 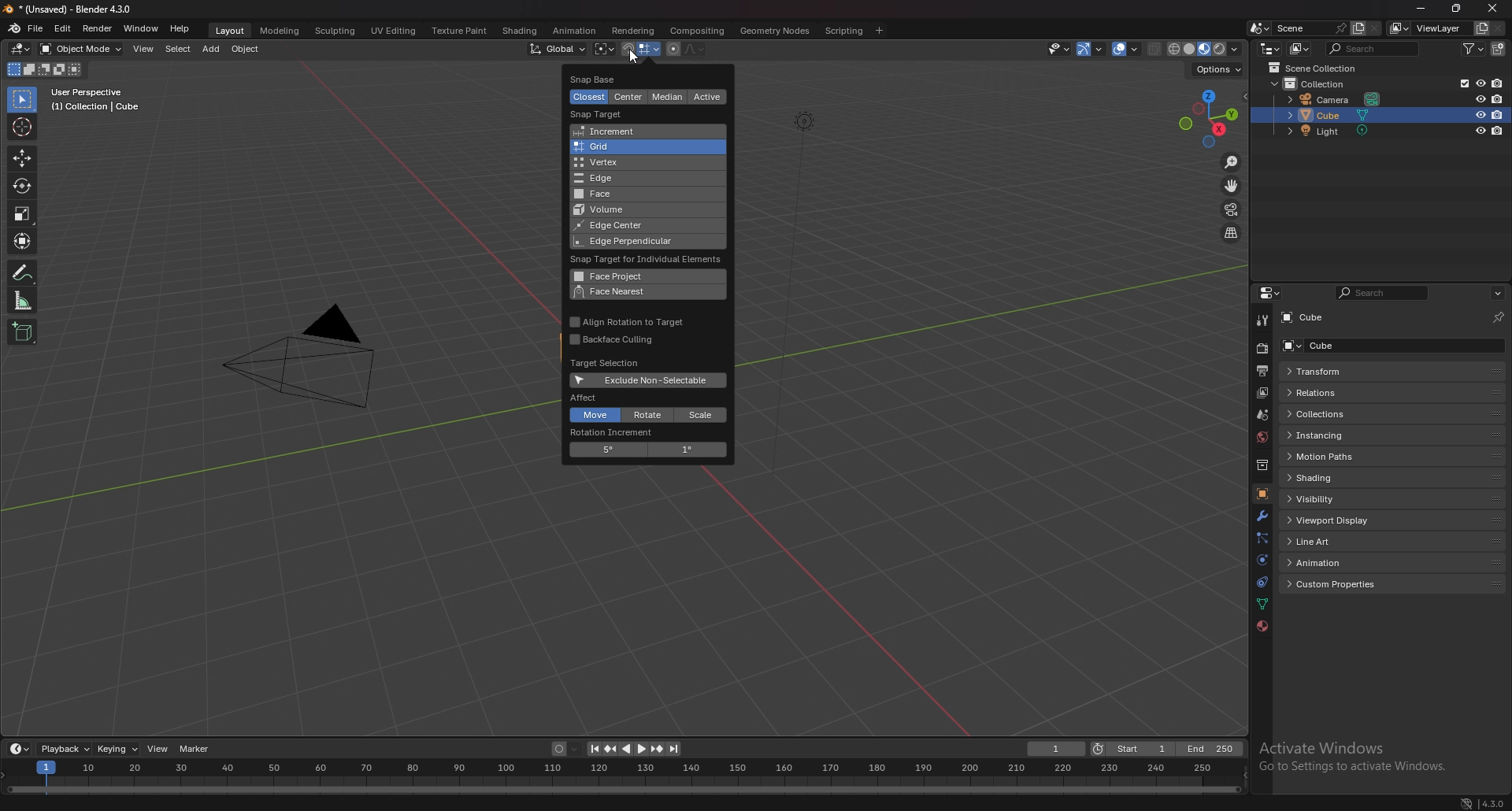 What do you see at coordinates (1206, 48) in the screenshot?
I see `viewport shading` at bounding box center [1206, 48].